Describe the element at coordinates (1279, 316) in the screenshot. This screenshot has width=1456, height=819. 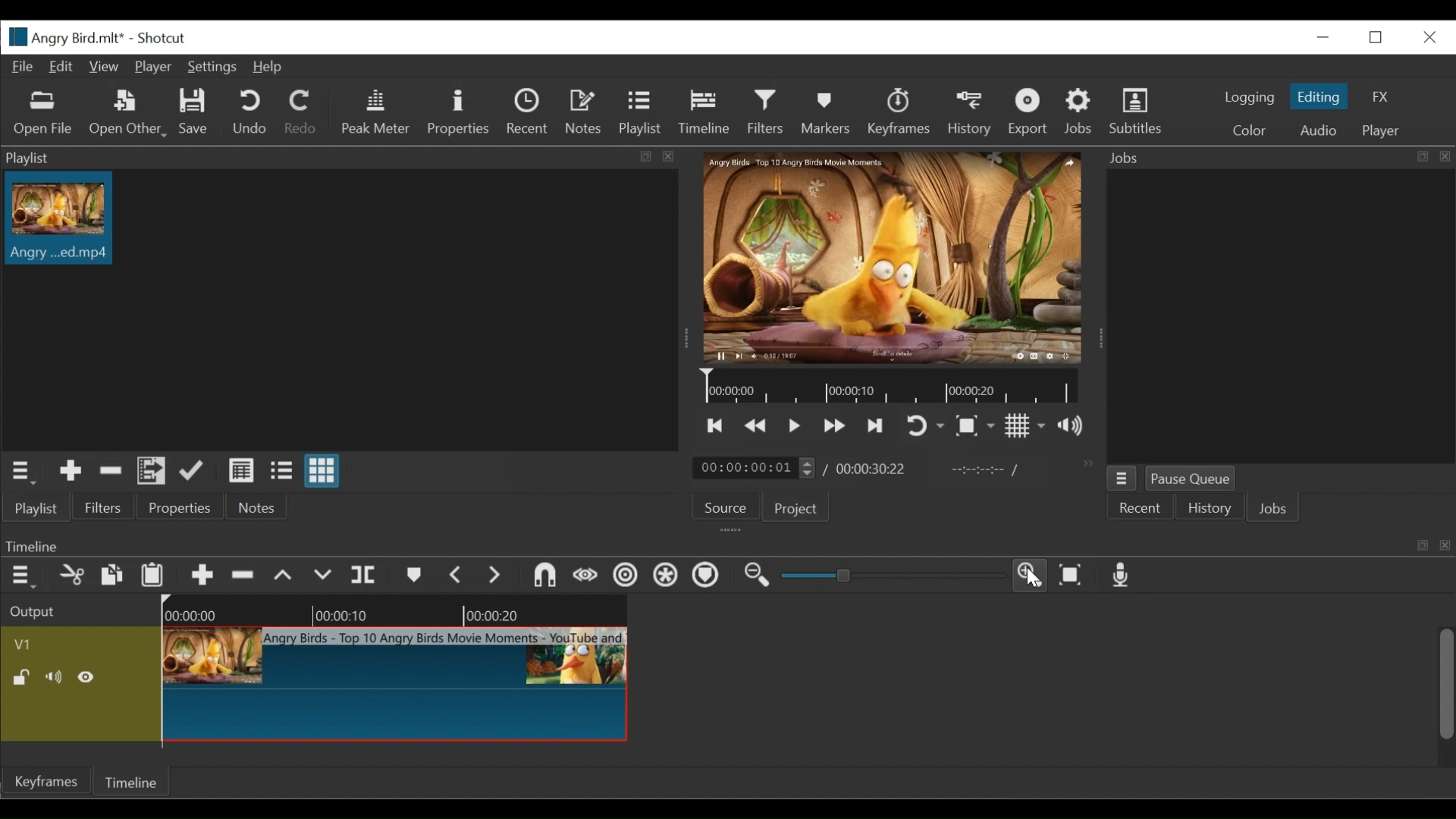
I see `Jobs Panel` at that location.